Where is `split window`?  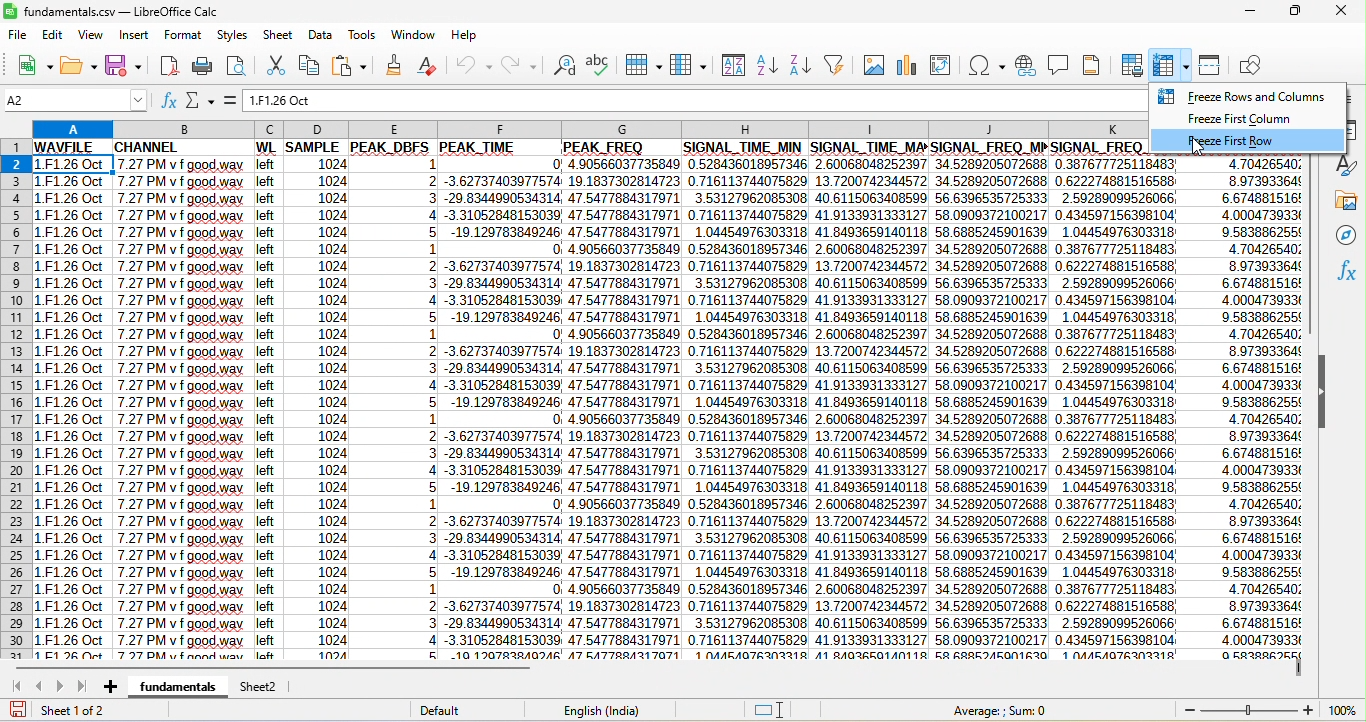
split window is located at coordinates (1215, 64).